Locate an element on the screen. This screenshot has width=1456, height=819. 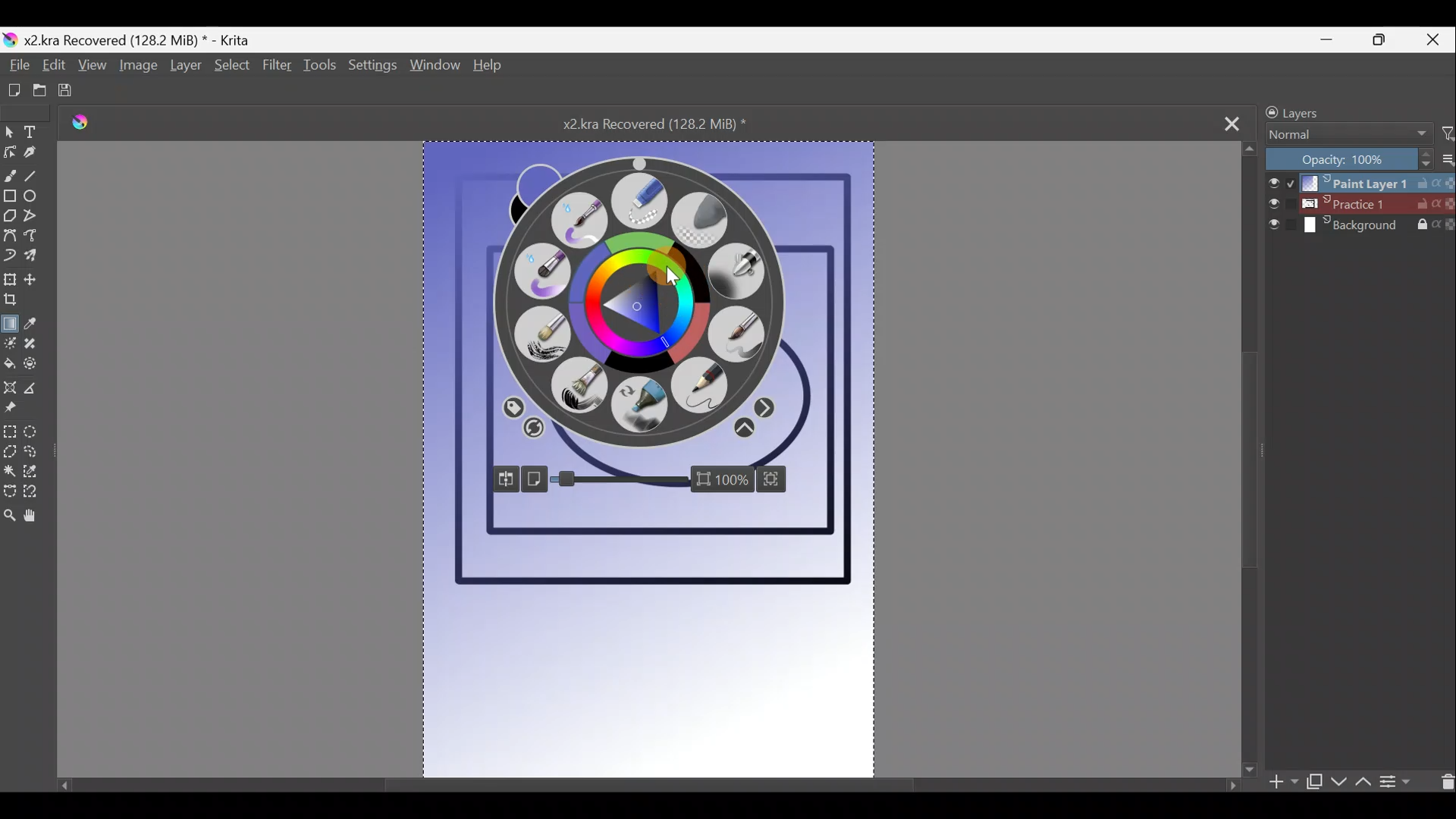
Cursor is located at coordinates (645, 275).